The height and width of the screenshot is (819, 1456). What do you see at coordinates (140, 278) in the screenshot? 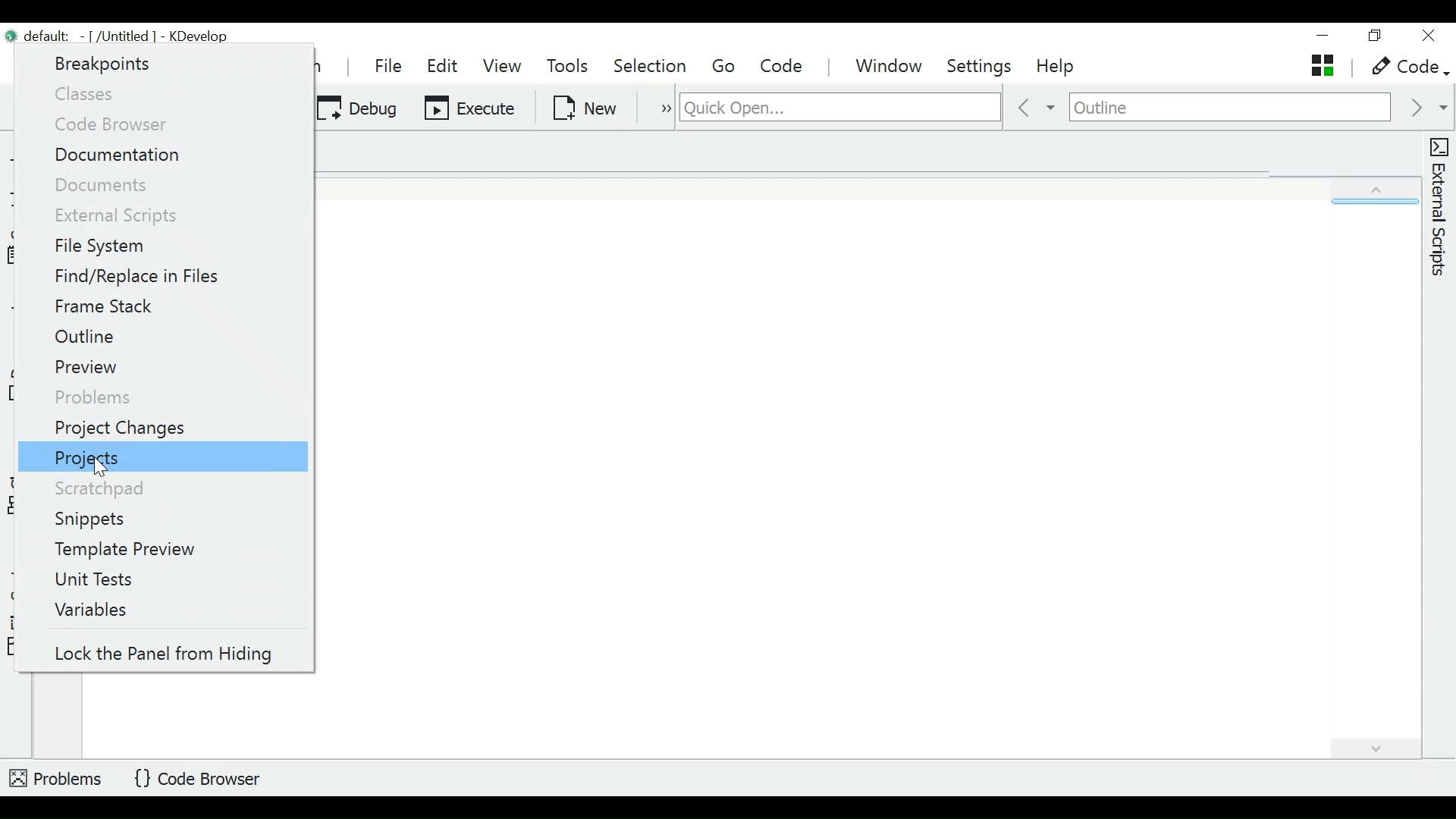
I see `Find/Replace in Files` at bounding box center [140, 278].